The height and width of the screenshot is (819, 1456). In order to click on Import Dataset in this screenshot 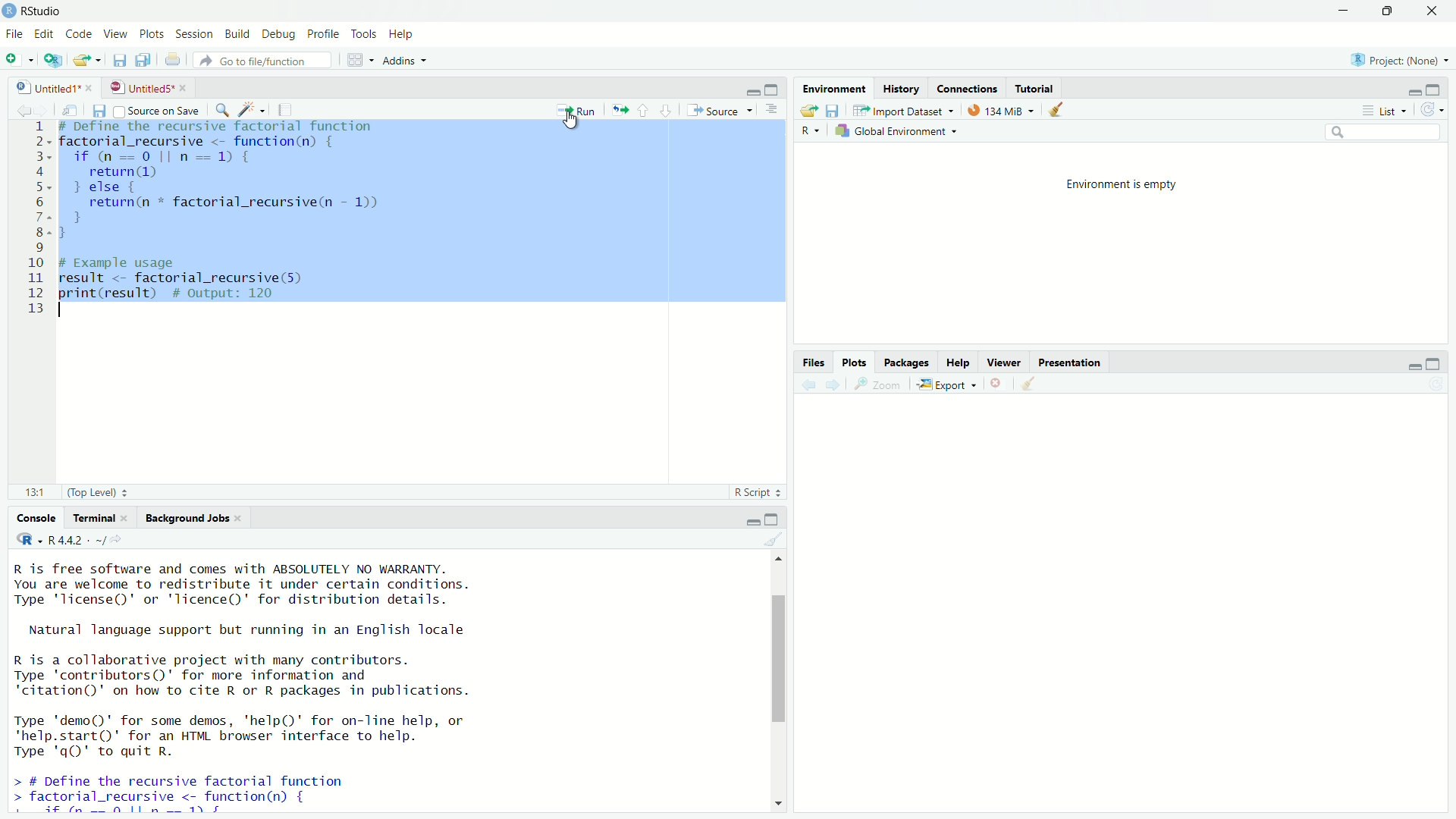, I will do `click(909, 109)`.